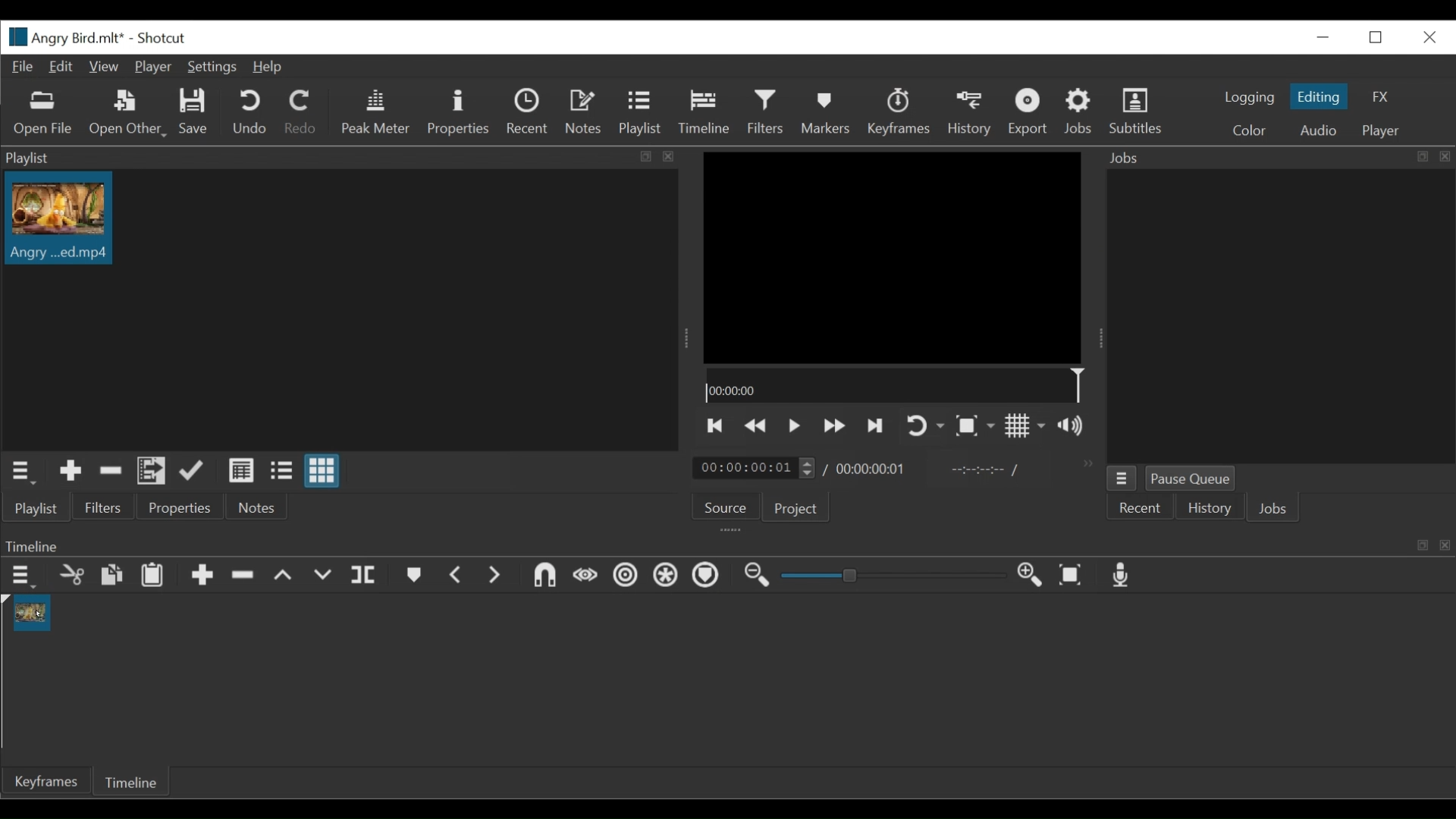 Image resolution: width=1456 pixels, height=819 pixels. What do you see at coordinates (1319, 130) in the screenshot?
I see `Audio` at bounding box center [1319, 130].